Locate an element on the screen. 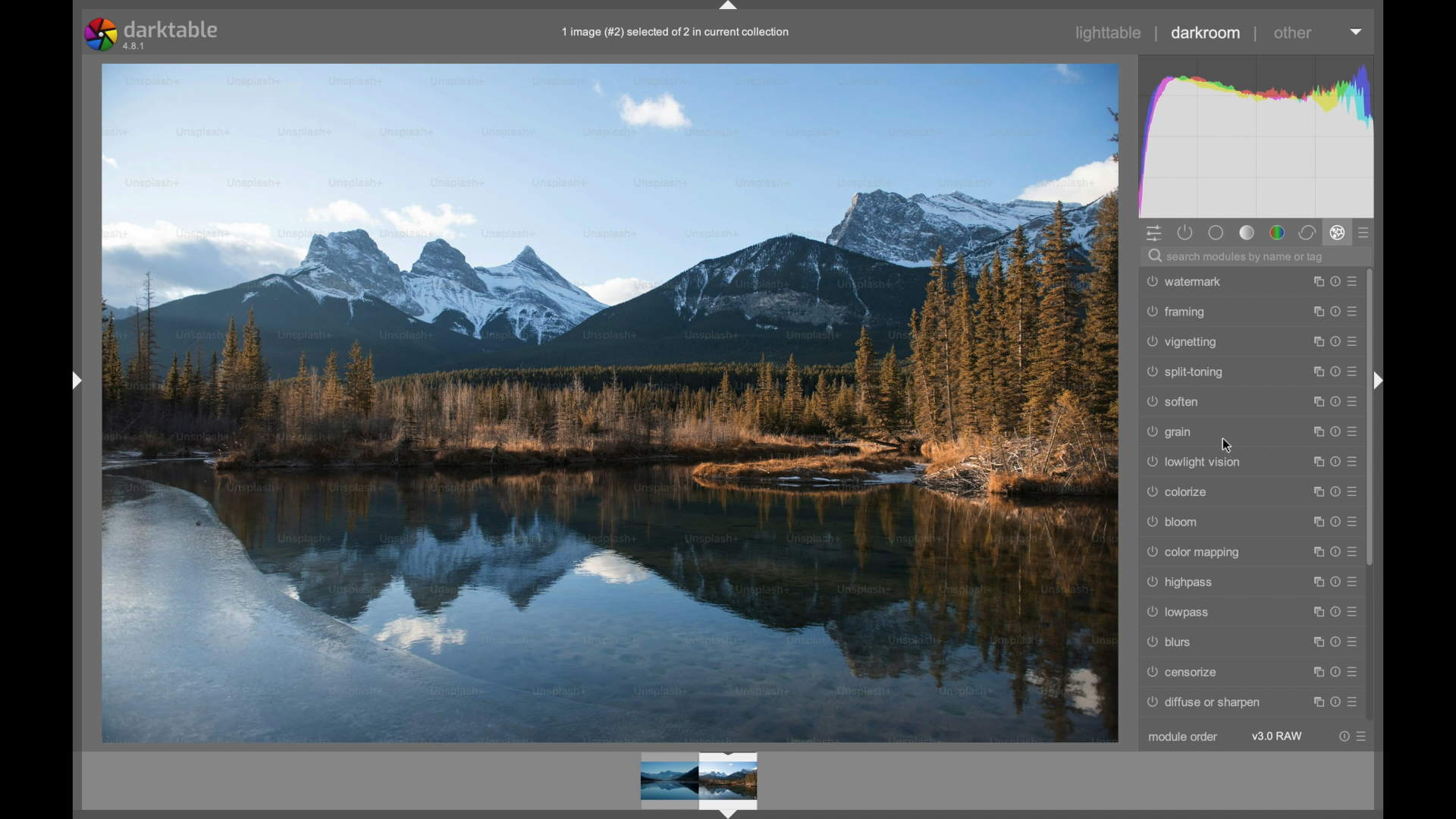 The image size is (1456, 819). censorize is located at coordinates (1183, 672).